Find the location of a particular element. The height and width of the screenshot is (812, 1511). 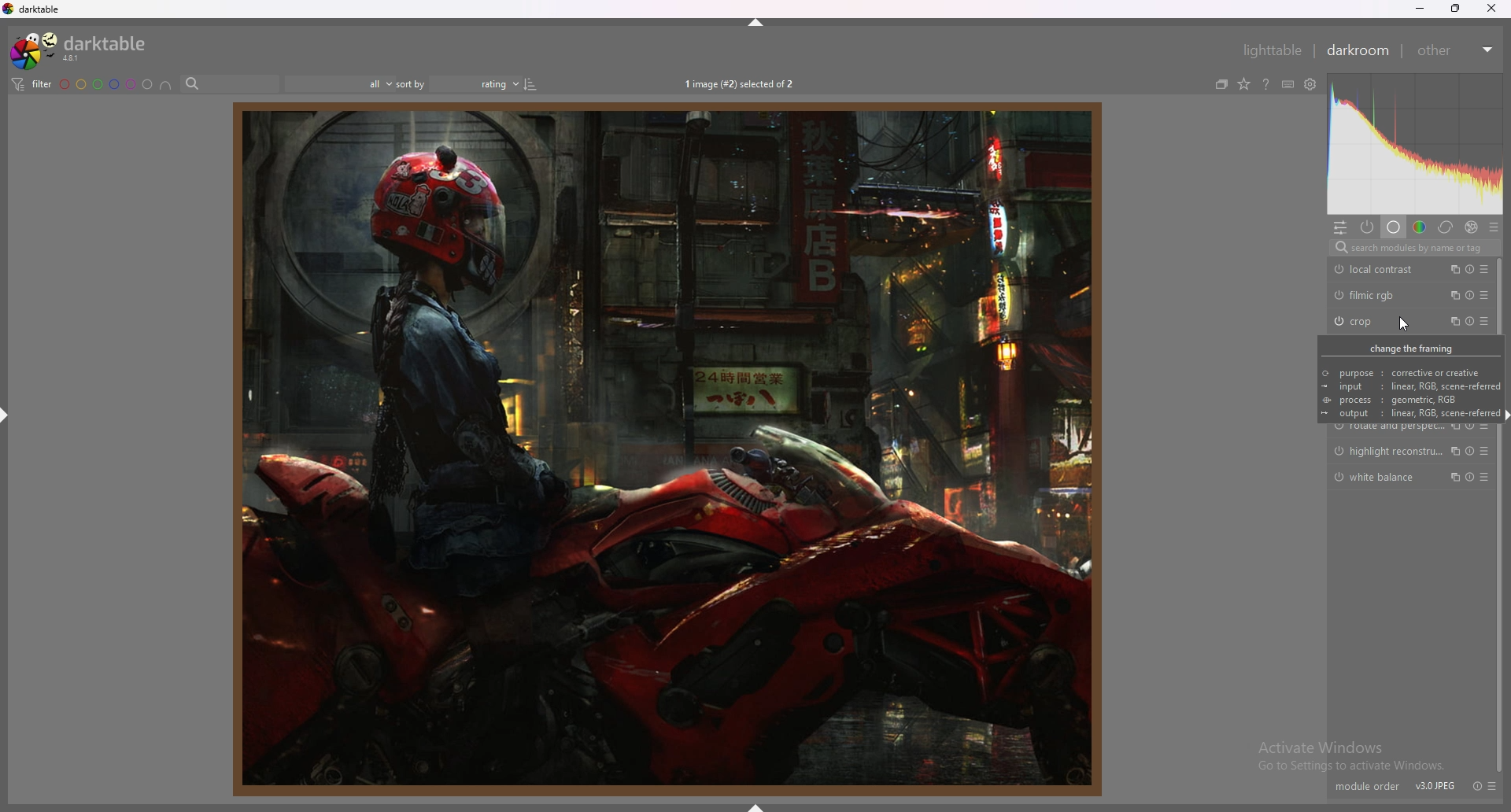

correct is located at coordinates (1446, 227).